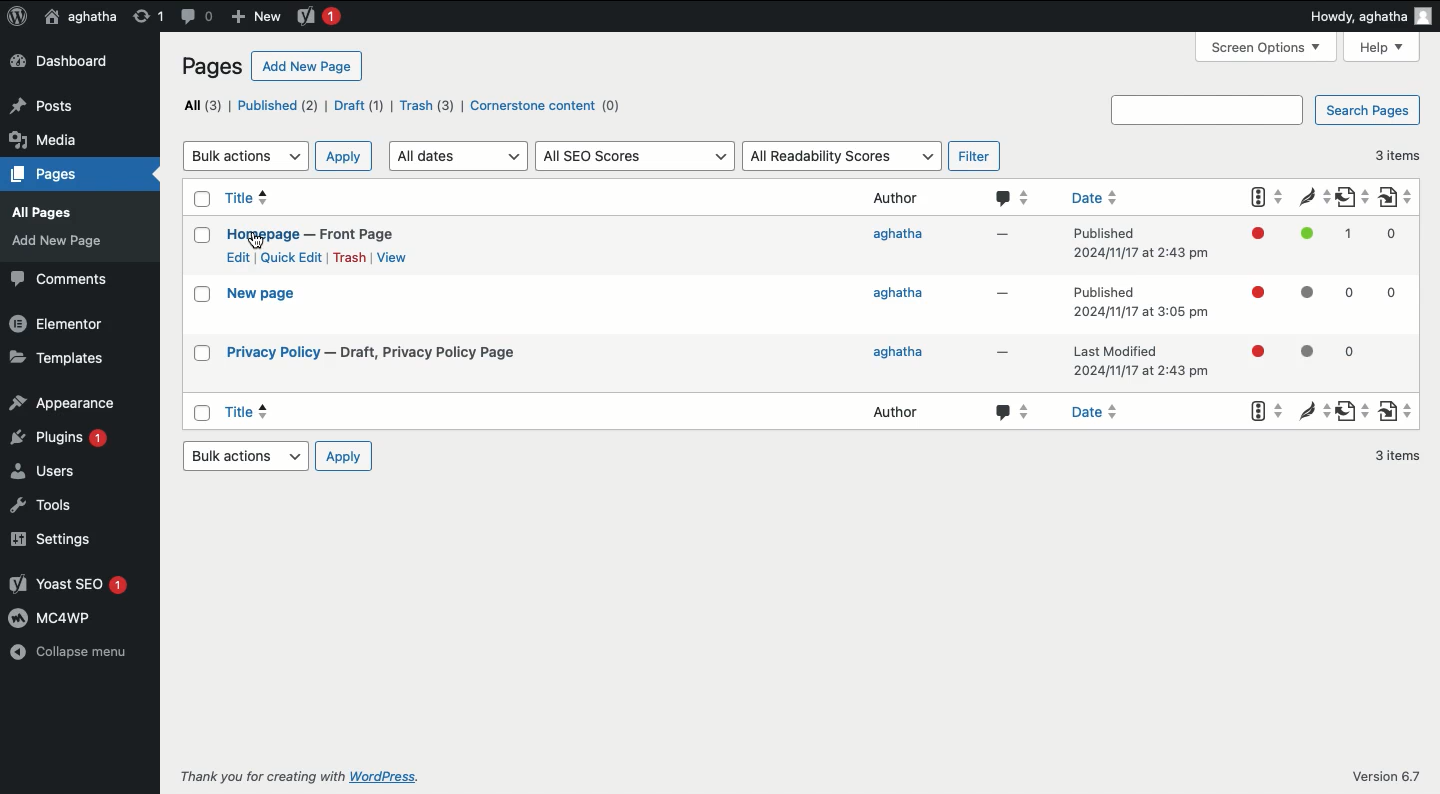  Describe the element at coordinates (17, 17) in the screenshot. I see `Logo` at that location.